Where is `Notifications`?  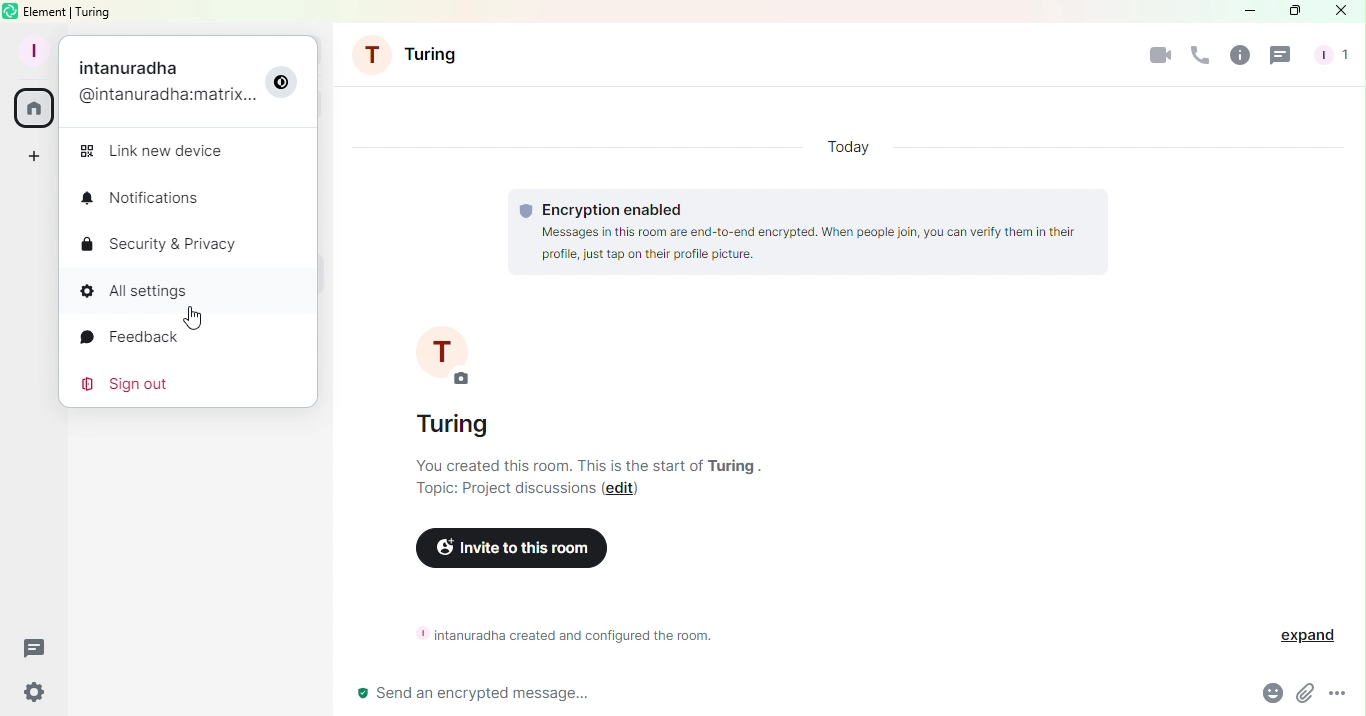
Notifications is located at coordinates (145, 199).